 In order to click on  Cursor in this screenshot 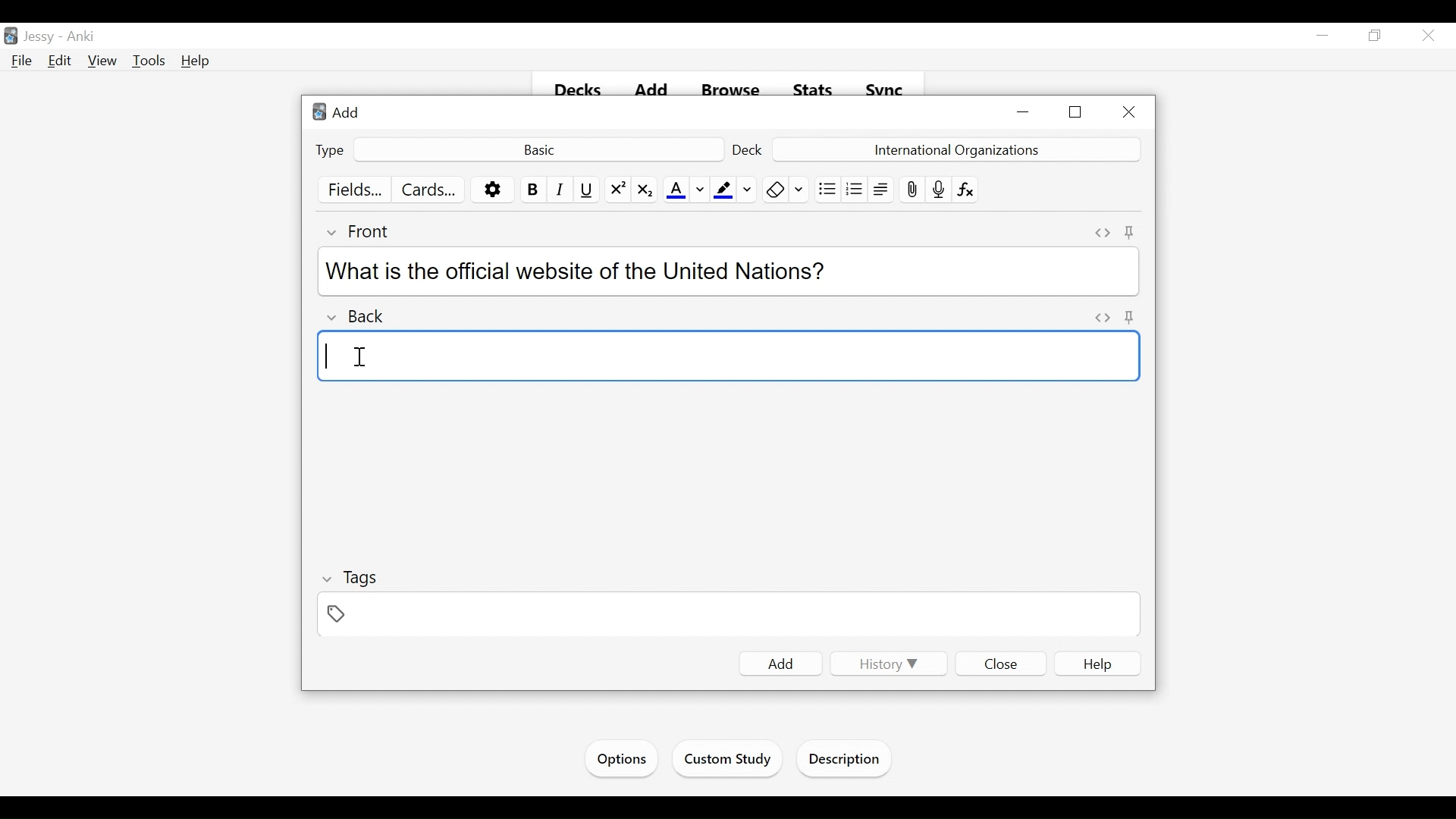, I will do `click(366, 356)`.